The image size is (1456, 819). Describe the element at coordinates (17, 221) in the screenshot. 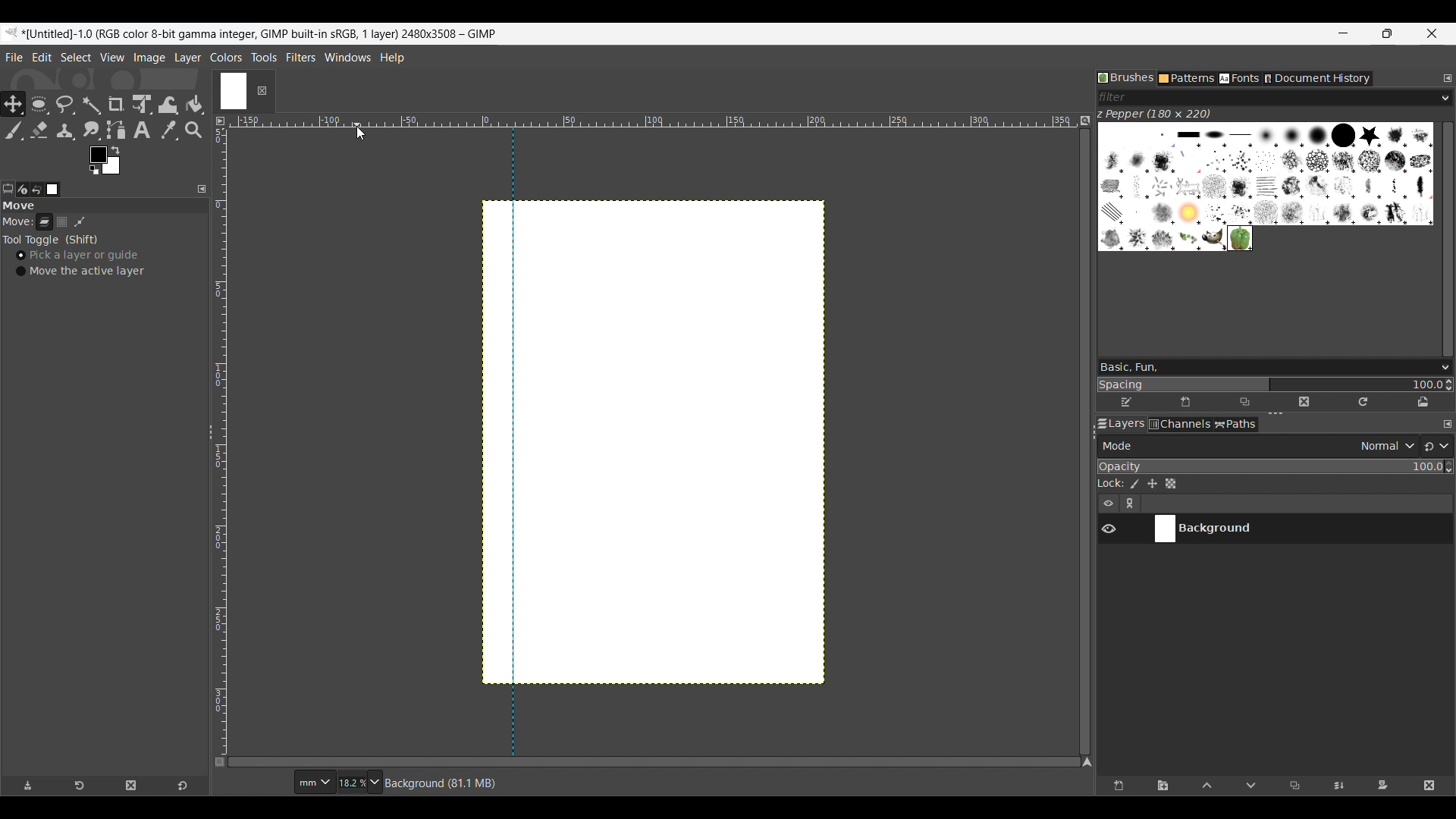

I see `Indicates move tools` at that location.